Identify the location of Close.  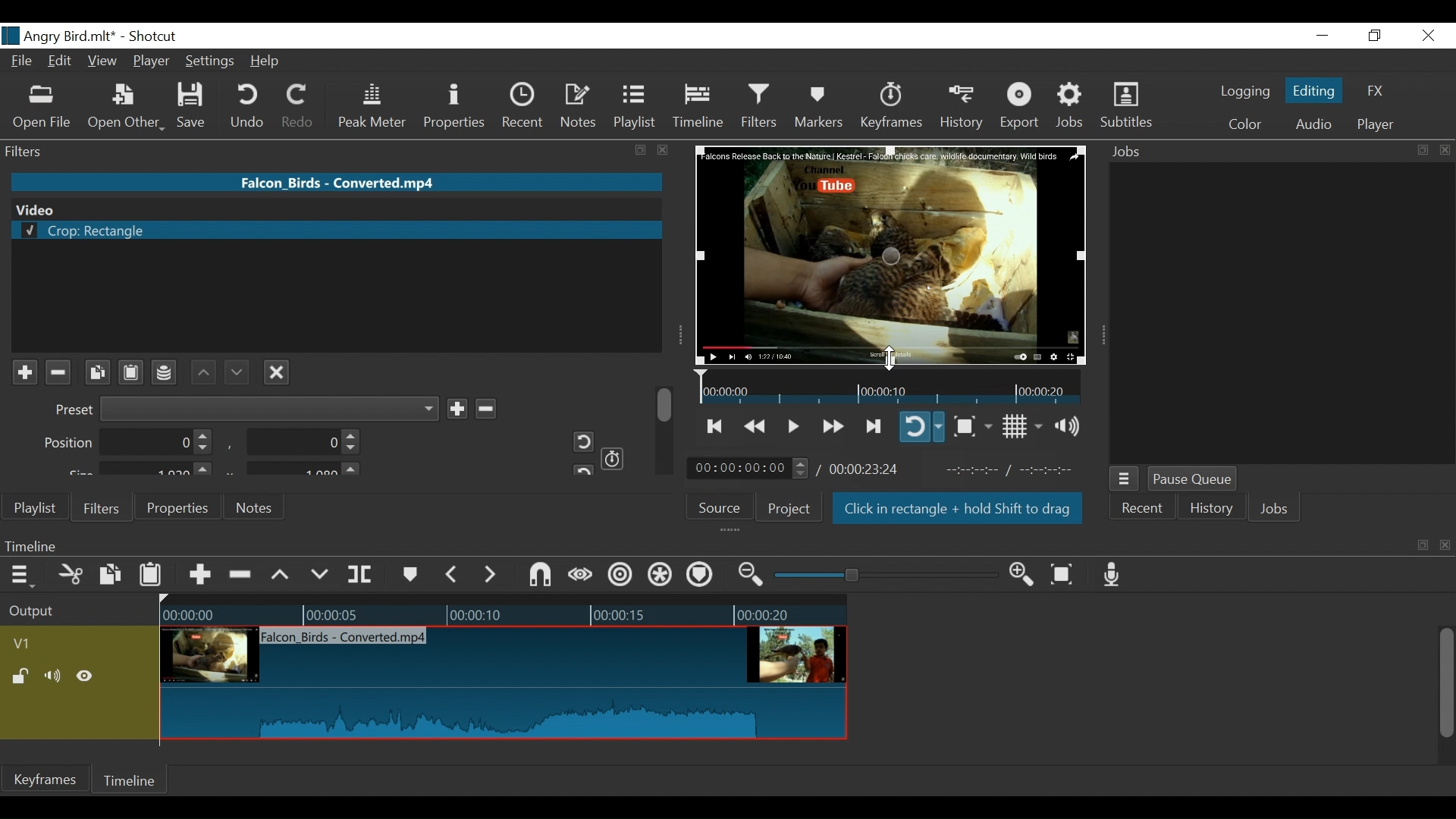
(277, 370).